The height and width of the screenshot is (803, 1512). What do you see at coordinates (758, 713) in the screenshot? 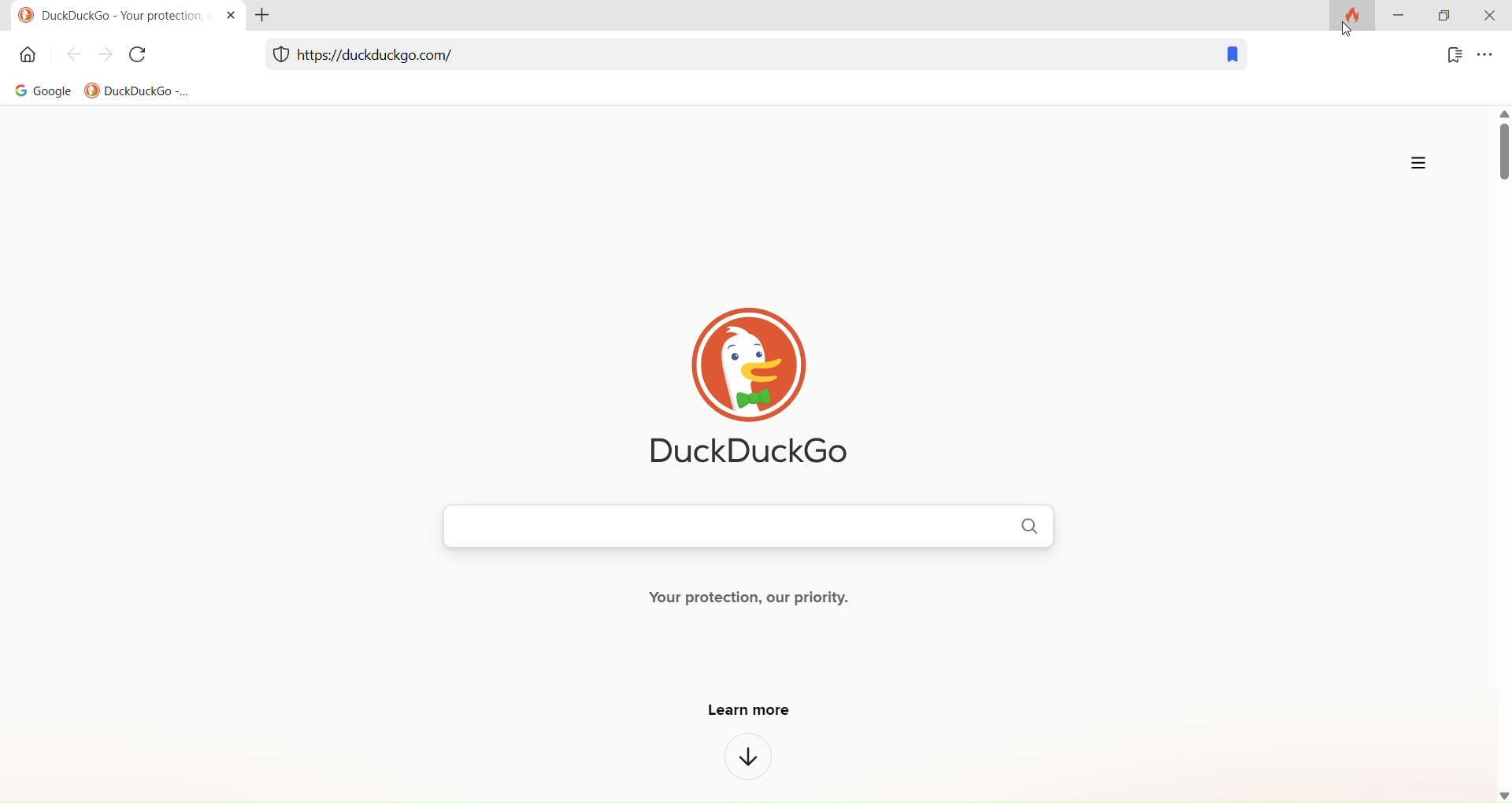
I see `learn more` at bounding box center [758, 713].